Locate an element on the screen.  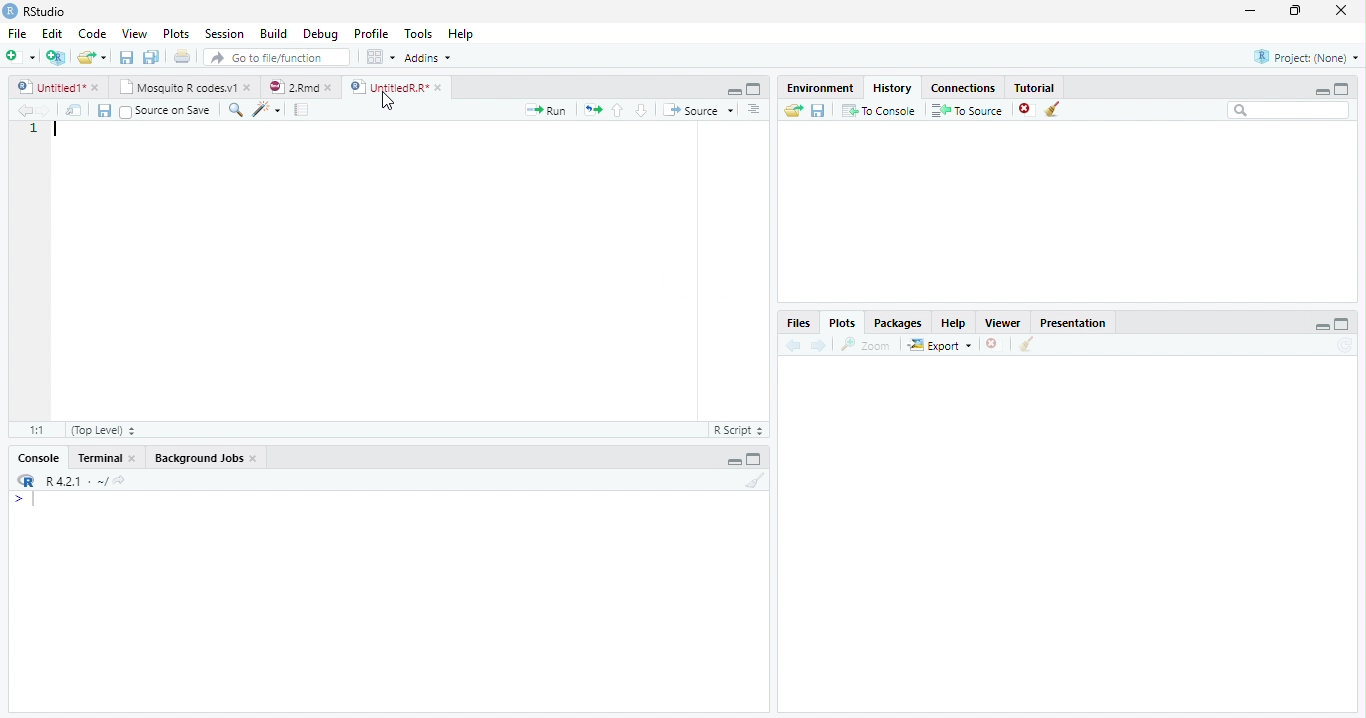
Compile Report is located at coordinates (302, 111).